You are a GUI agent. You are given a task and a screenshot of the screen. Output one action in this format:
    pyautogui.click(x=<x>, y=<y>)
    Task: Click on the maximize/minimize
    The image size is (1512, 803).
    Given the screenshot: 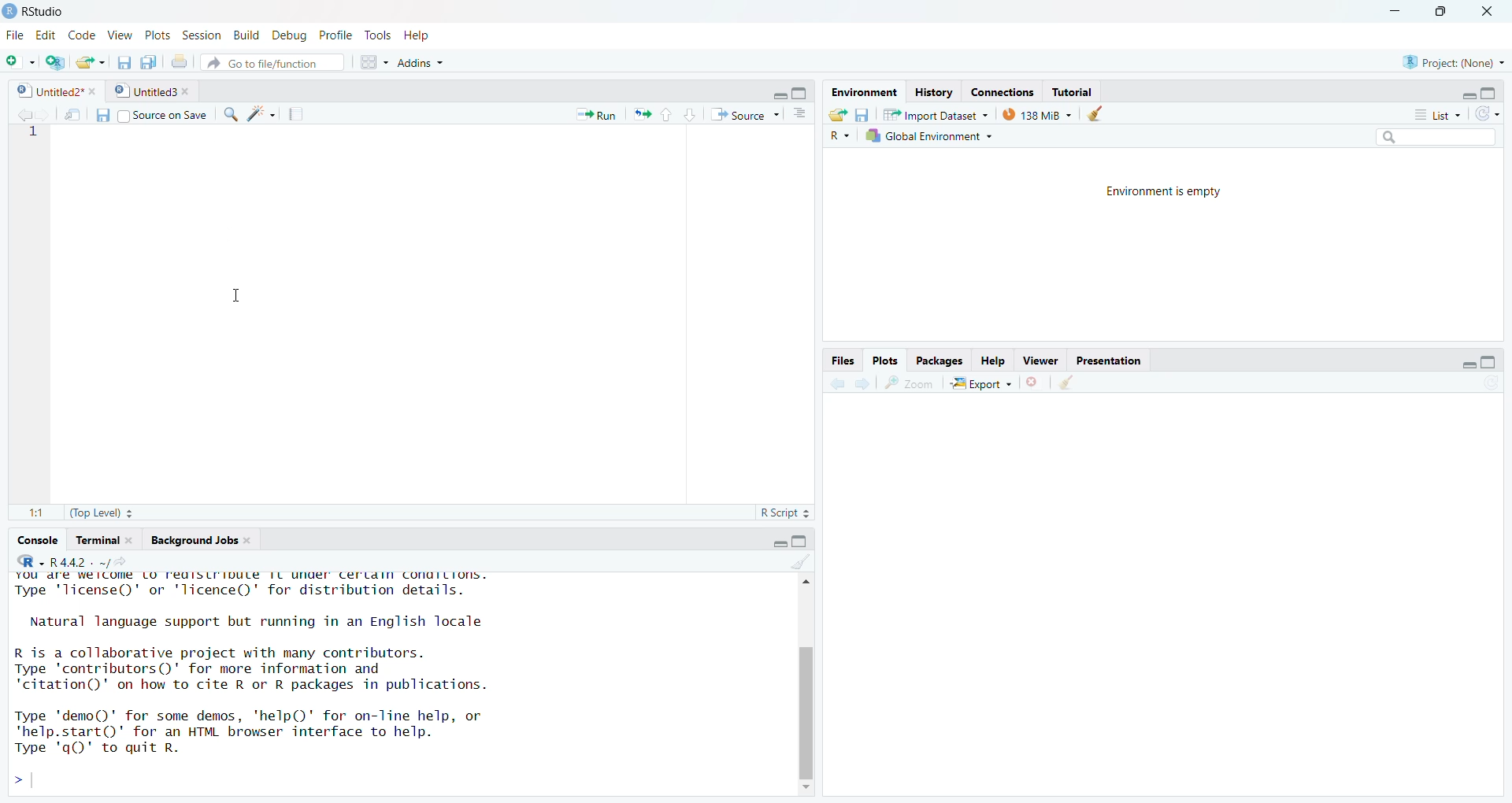 What is the action you would take?
    pyautogui.click(x=1480, y=91)
    